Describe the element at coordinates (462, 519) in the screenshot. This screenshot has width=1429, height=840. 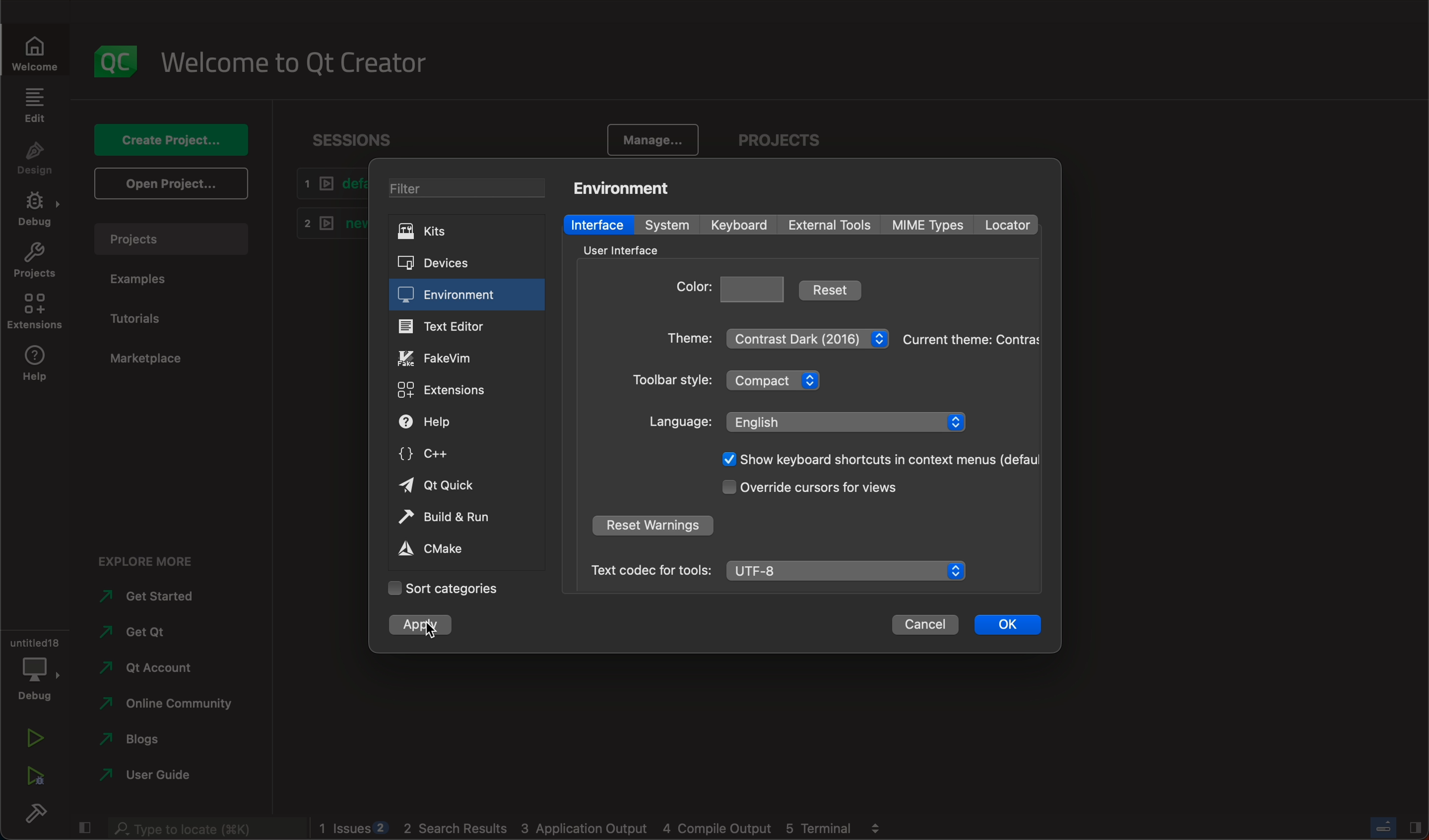
I see `build and run` at that location.